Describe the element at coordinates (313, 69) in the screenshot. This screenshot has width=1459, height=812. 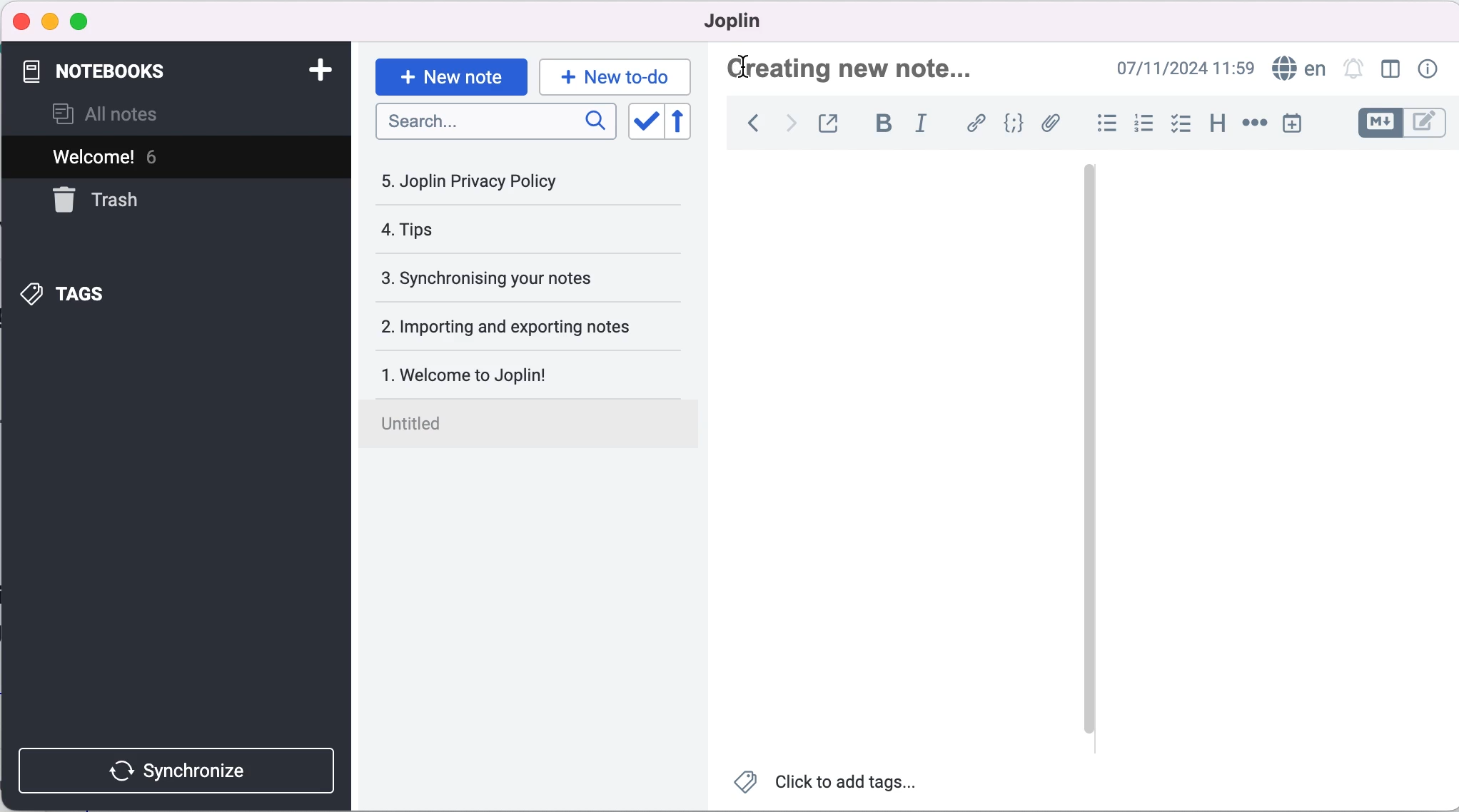
I see `add note` at that location.